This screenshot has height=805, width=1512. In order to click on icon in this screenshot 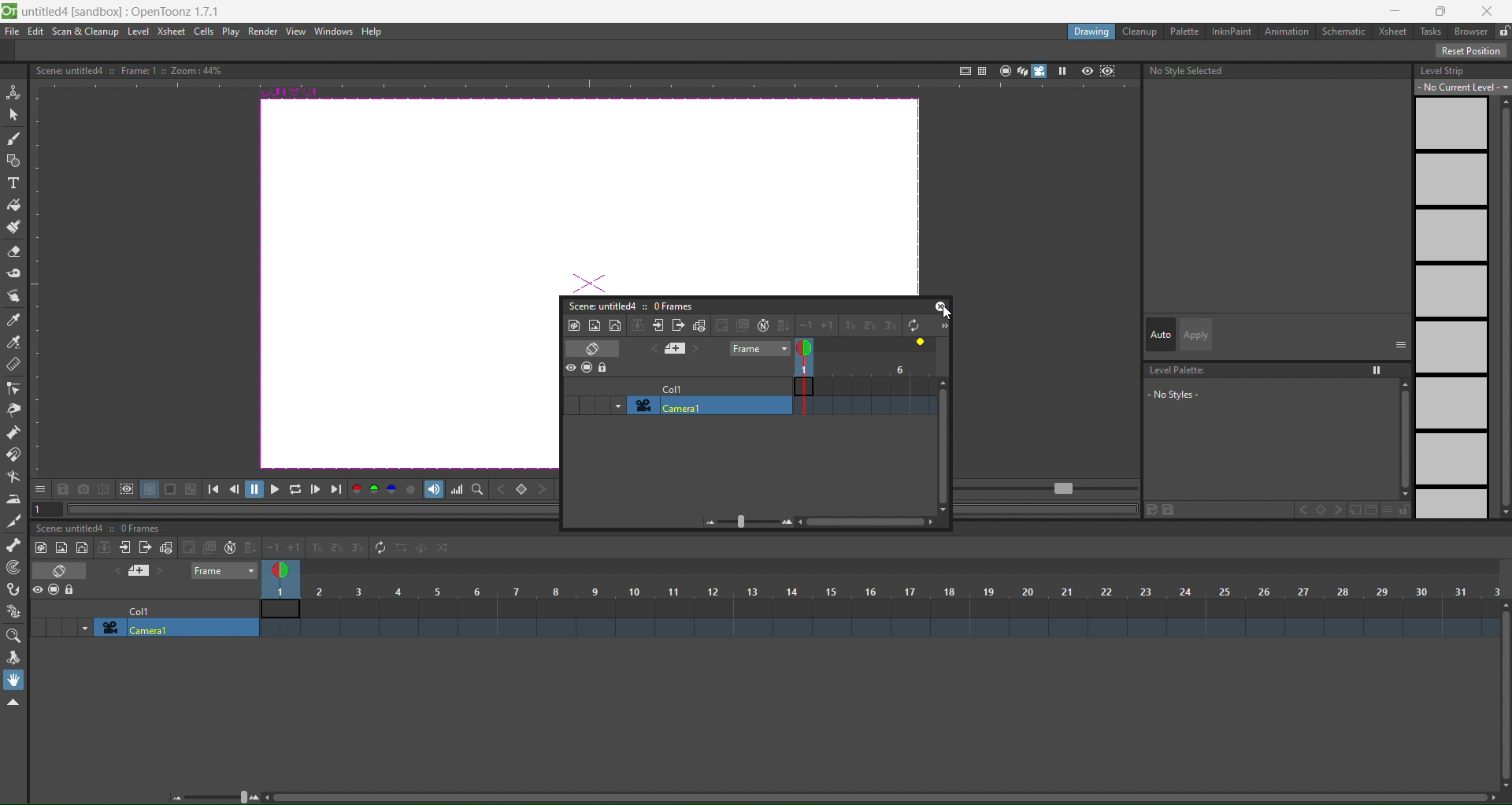, I will do `click(55, 591)`.